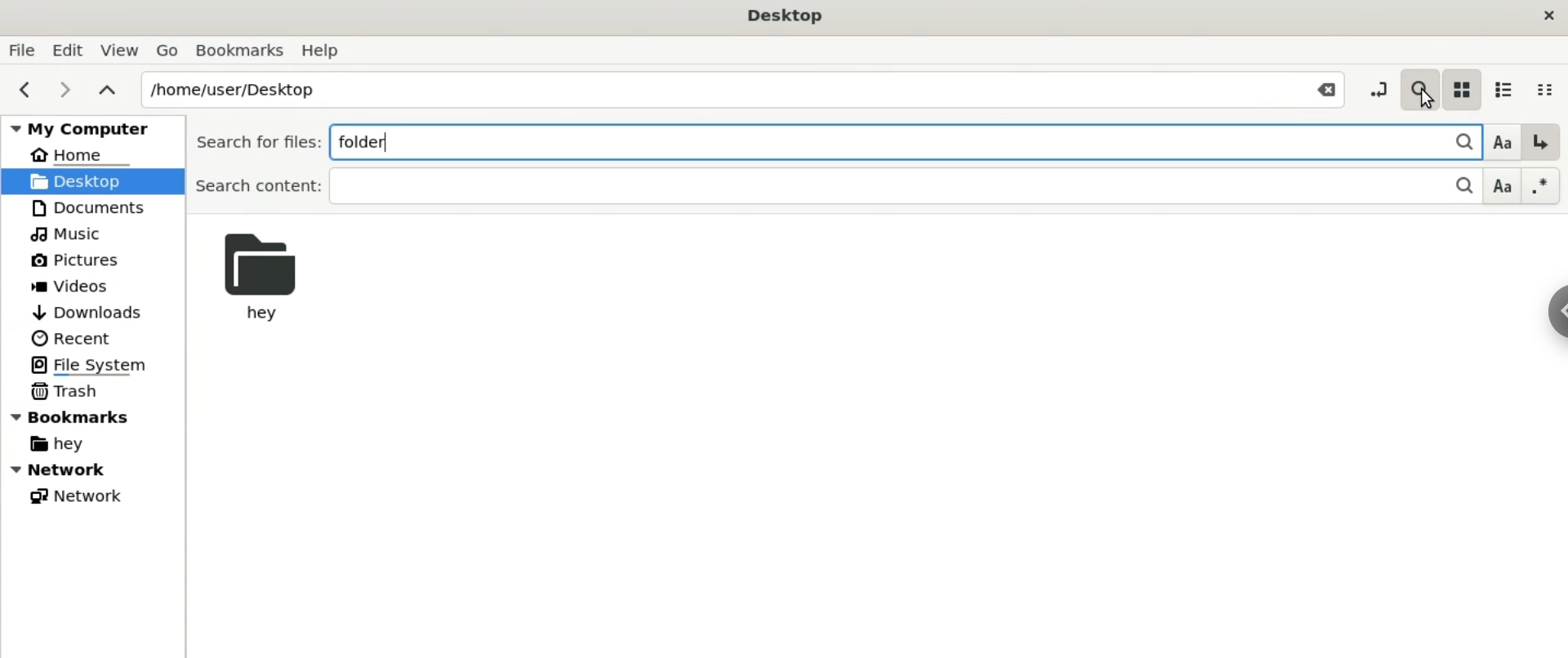 Image resolution: width=1568 pixels, height=658 pixels. I want to click on Font, so click(1503, 187).